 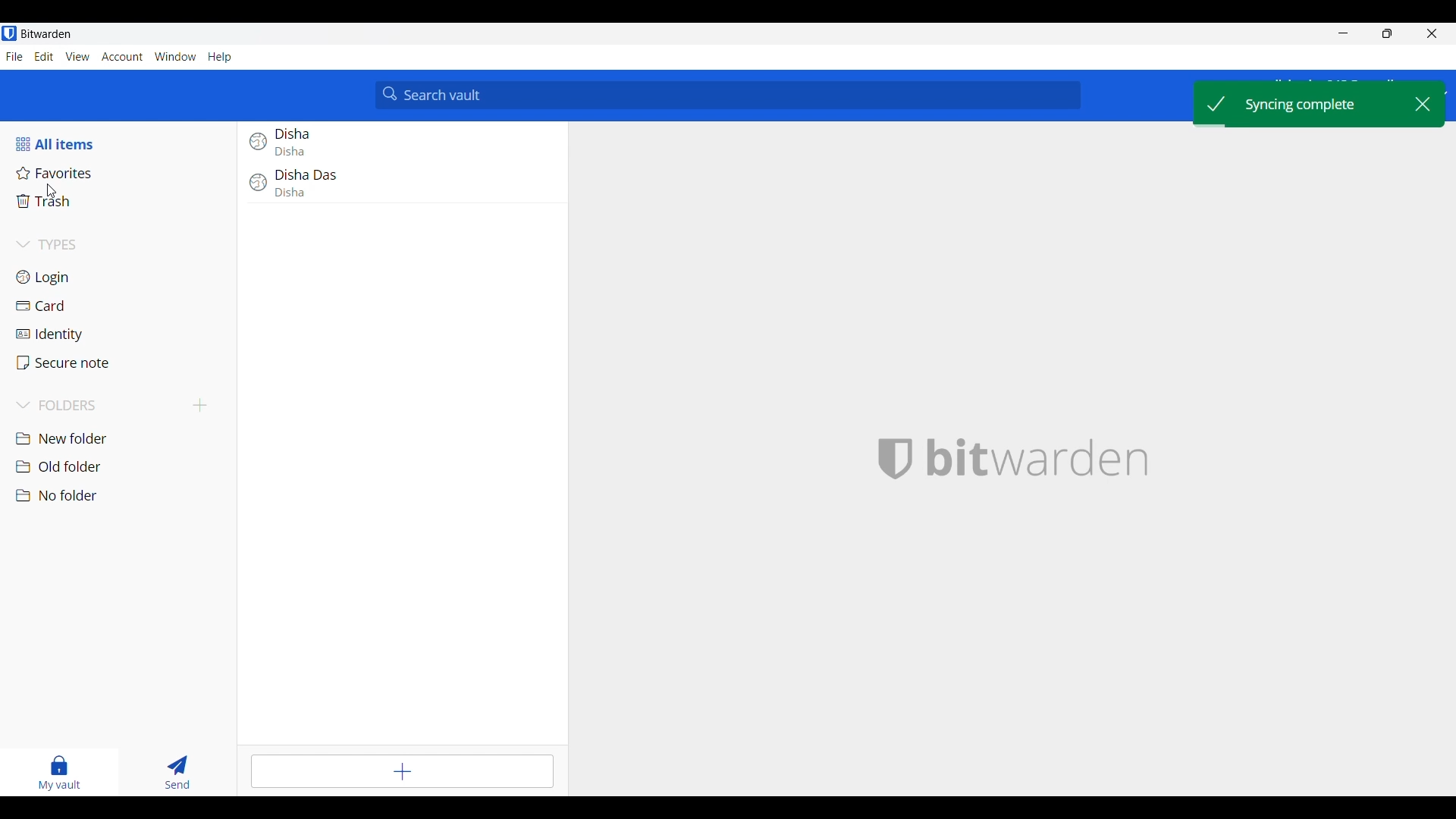 I want to click on Edit menu, so click(x=45, y=56).